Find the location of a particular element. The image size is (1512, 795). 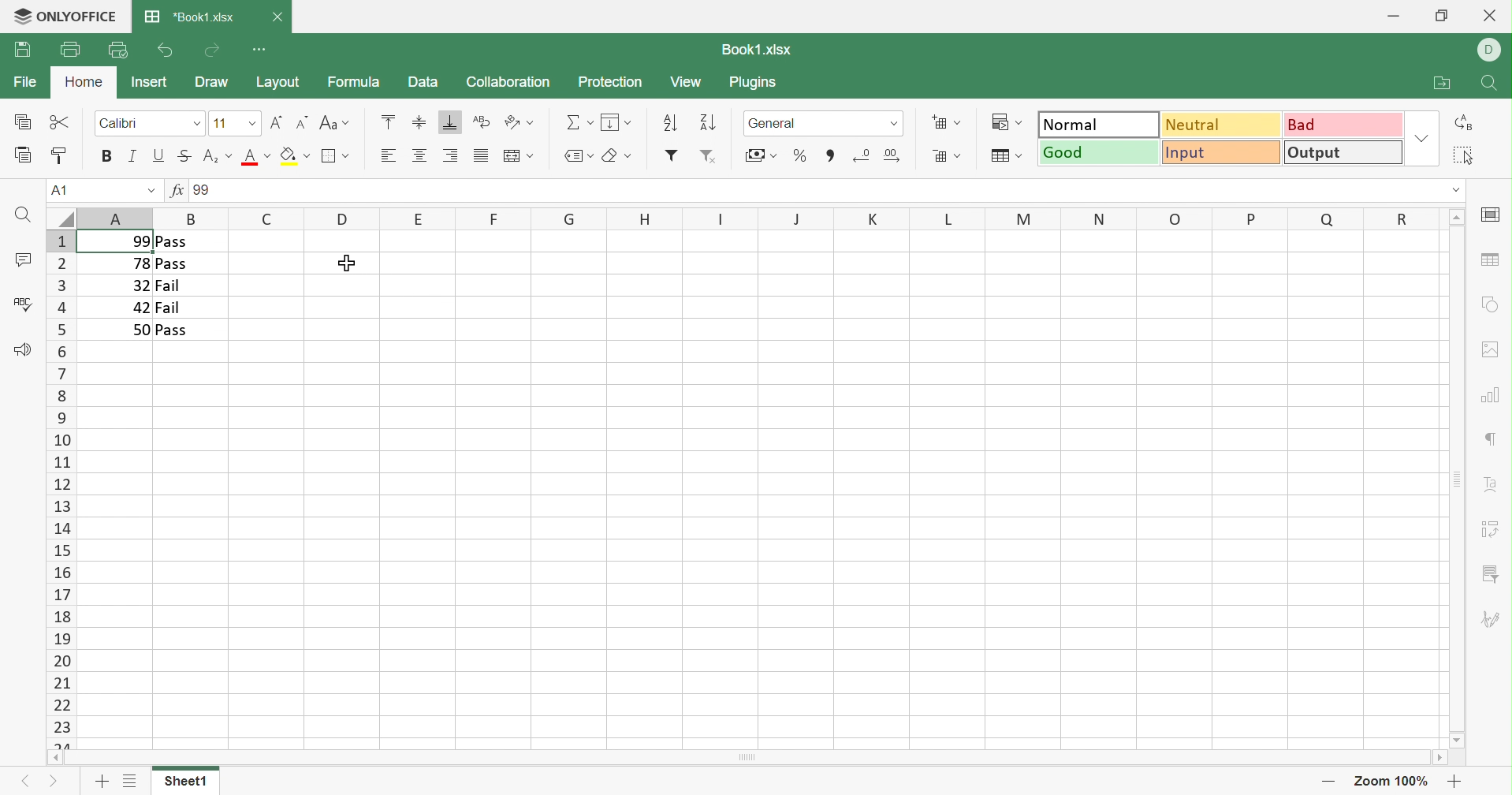

Subscript is located at coordinates (217, 159).